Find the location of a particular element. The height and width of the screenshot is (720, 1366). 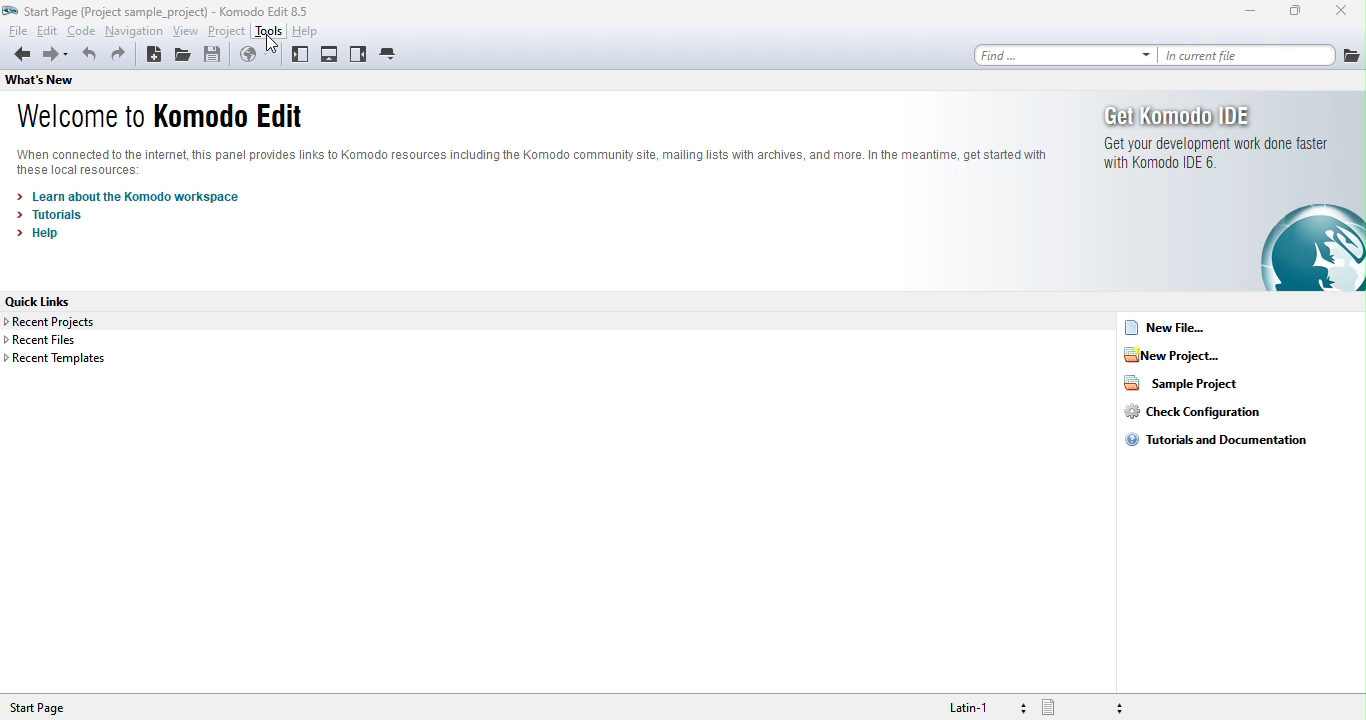

komodo text is located at coordinates (531, 157).